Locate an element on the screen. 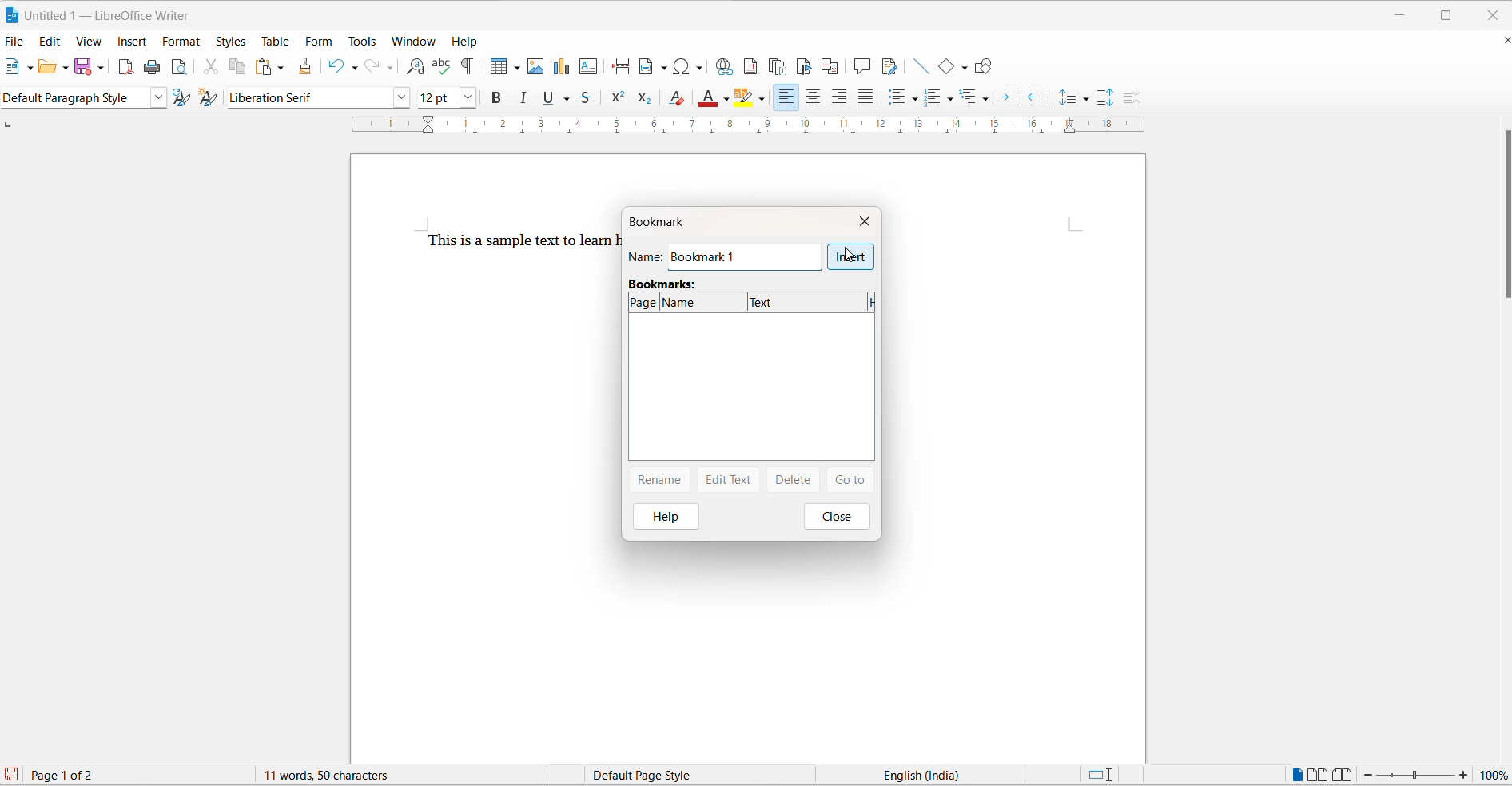 The height and width of the screenshot is (786, 1512). insert is located at coordinates (131, 40).